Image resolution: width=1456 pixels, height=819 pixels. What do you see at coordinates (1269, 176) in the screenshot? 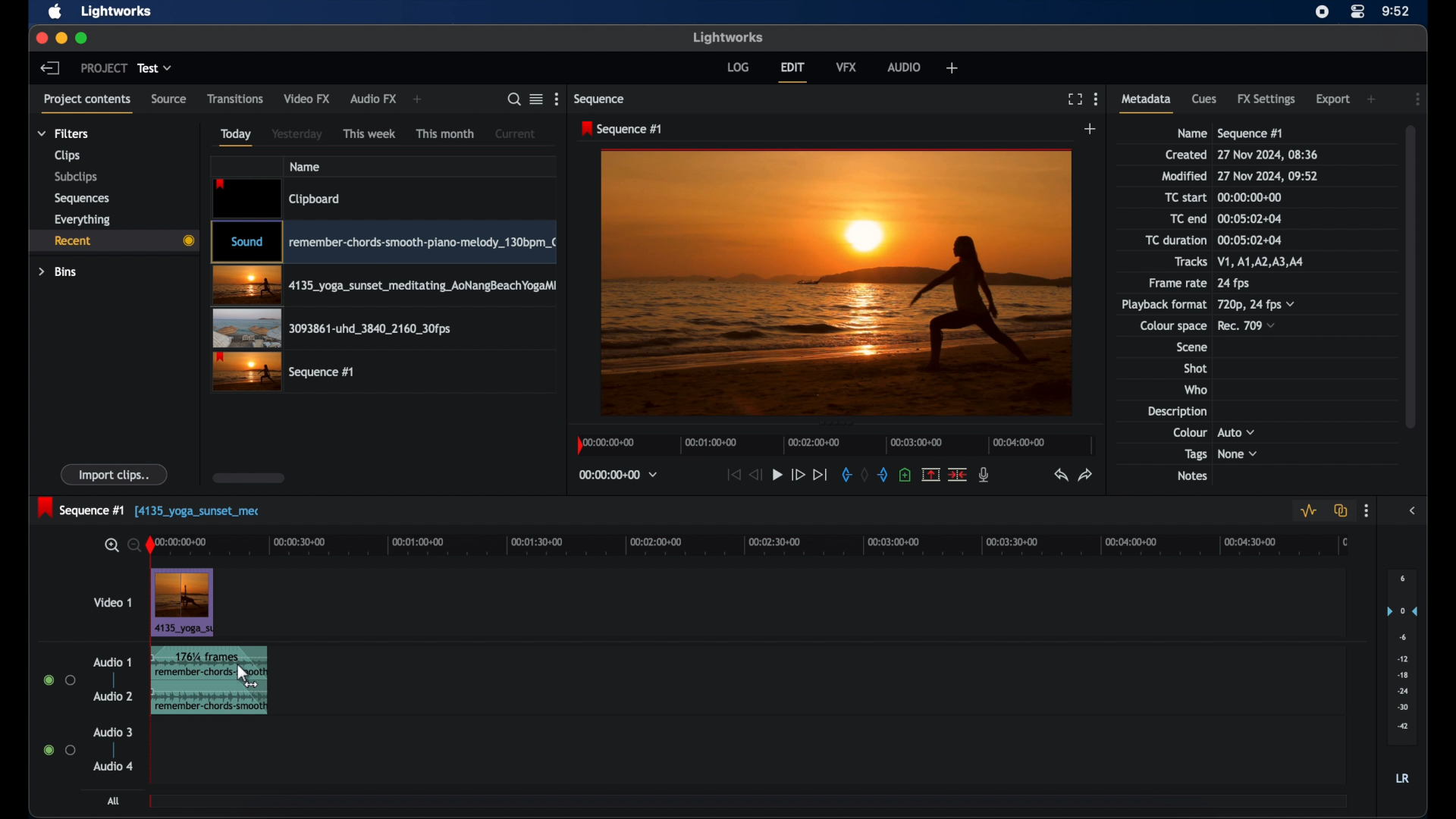
I see `modified` at bounding box center [1269, 176].